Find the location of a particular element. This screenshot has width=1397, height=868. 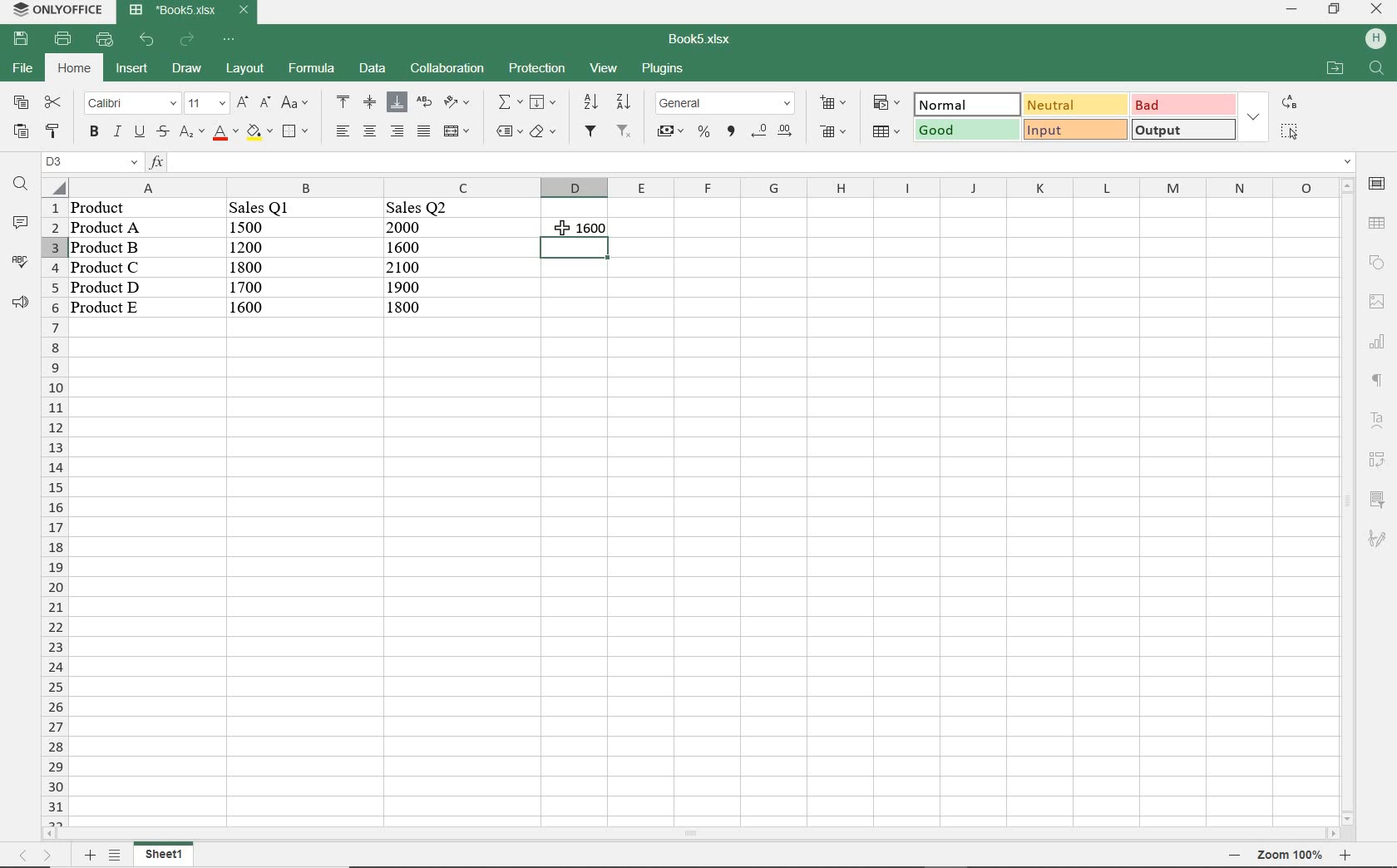

expand is located at coordinates (1255, 116).